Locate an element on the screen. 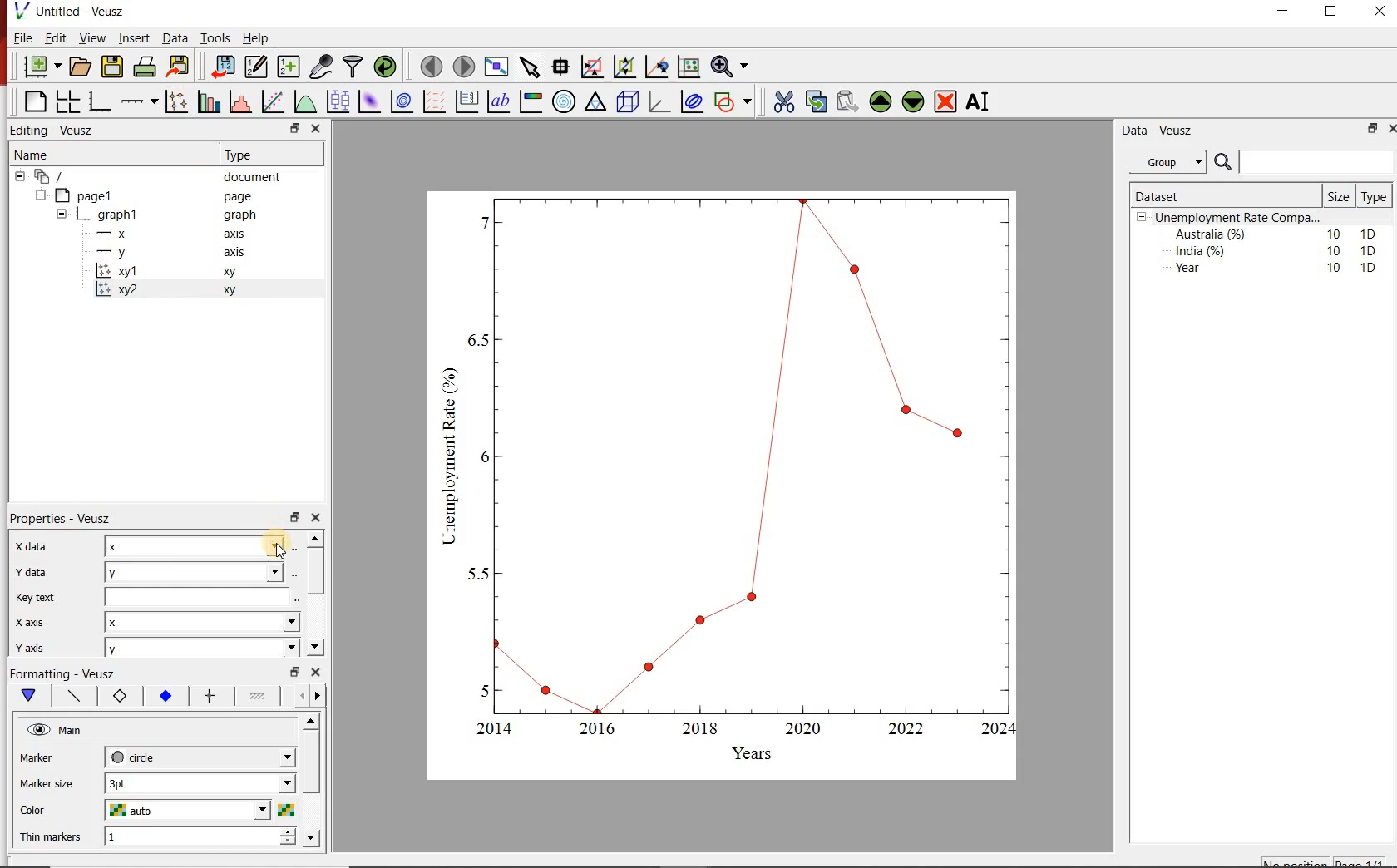  move up is located at coordinates (313, 721).